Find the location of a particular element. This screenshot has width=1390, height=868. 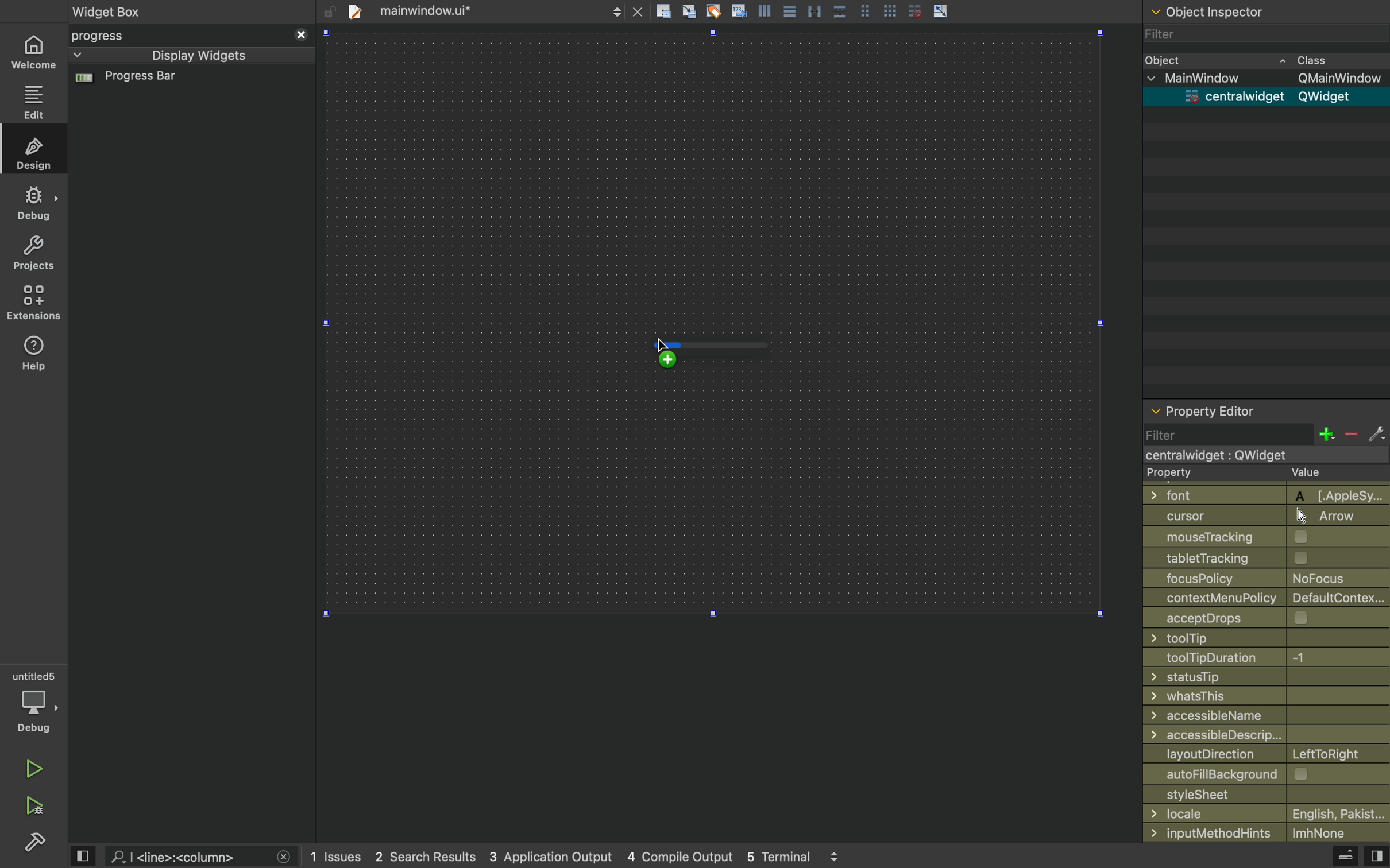

edit is located at coordinates (34, 102).